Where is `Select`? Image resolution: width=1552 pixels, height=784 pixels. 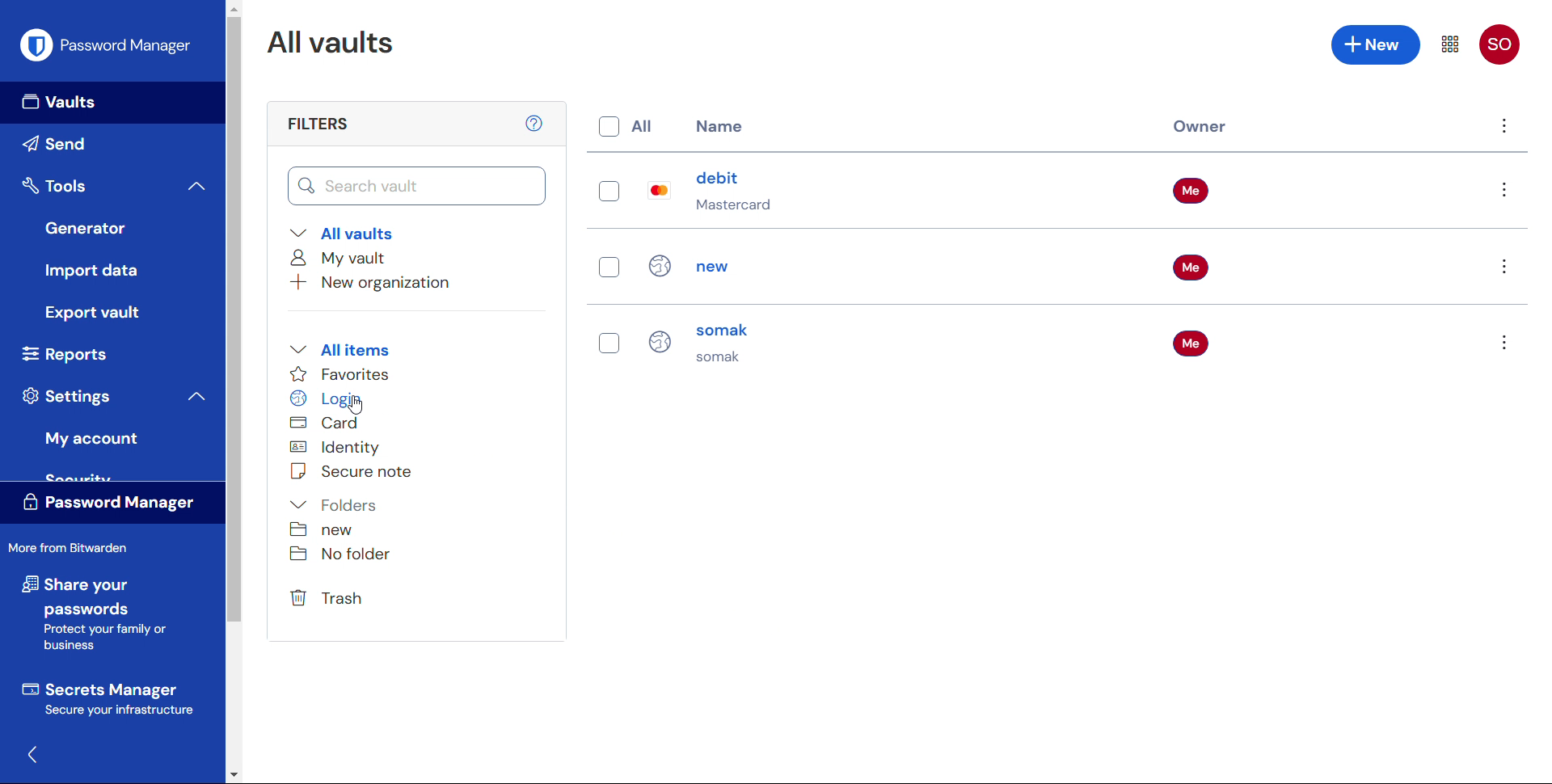
Select is located at coordinates (608, 344).